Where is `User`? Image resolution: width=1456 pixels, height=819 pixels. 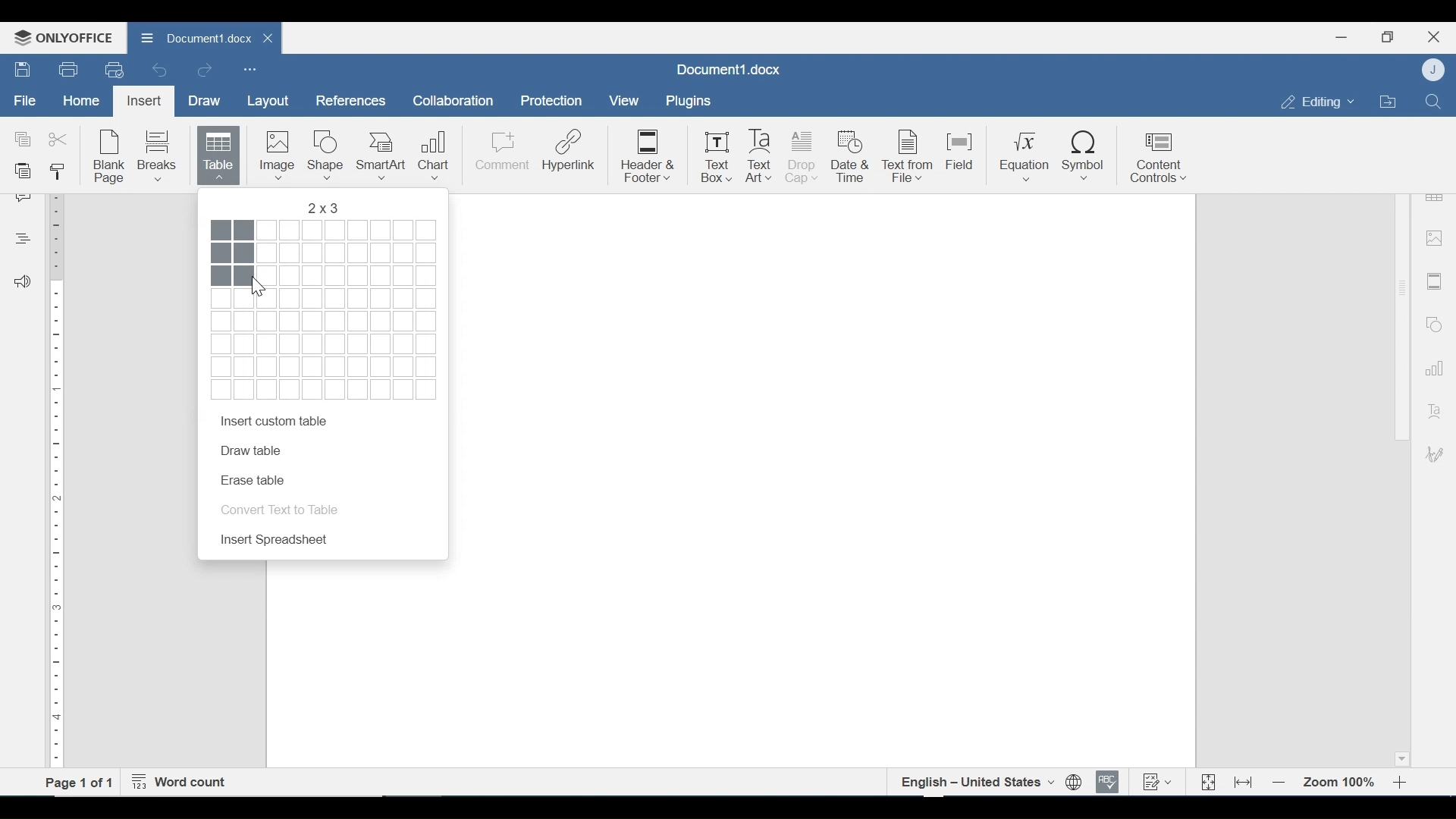 User is located at coordinates (1435, 69).